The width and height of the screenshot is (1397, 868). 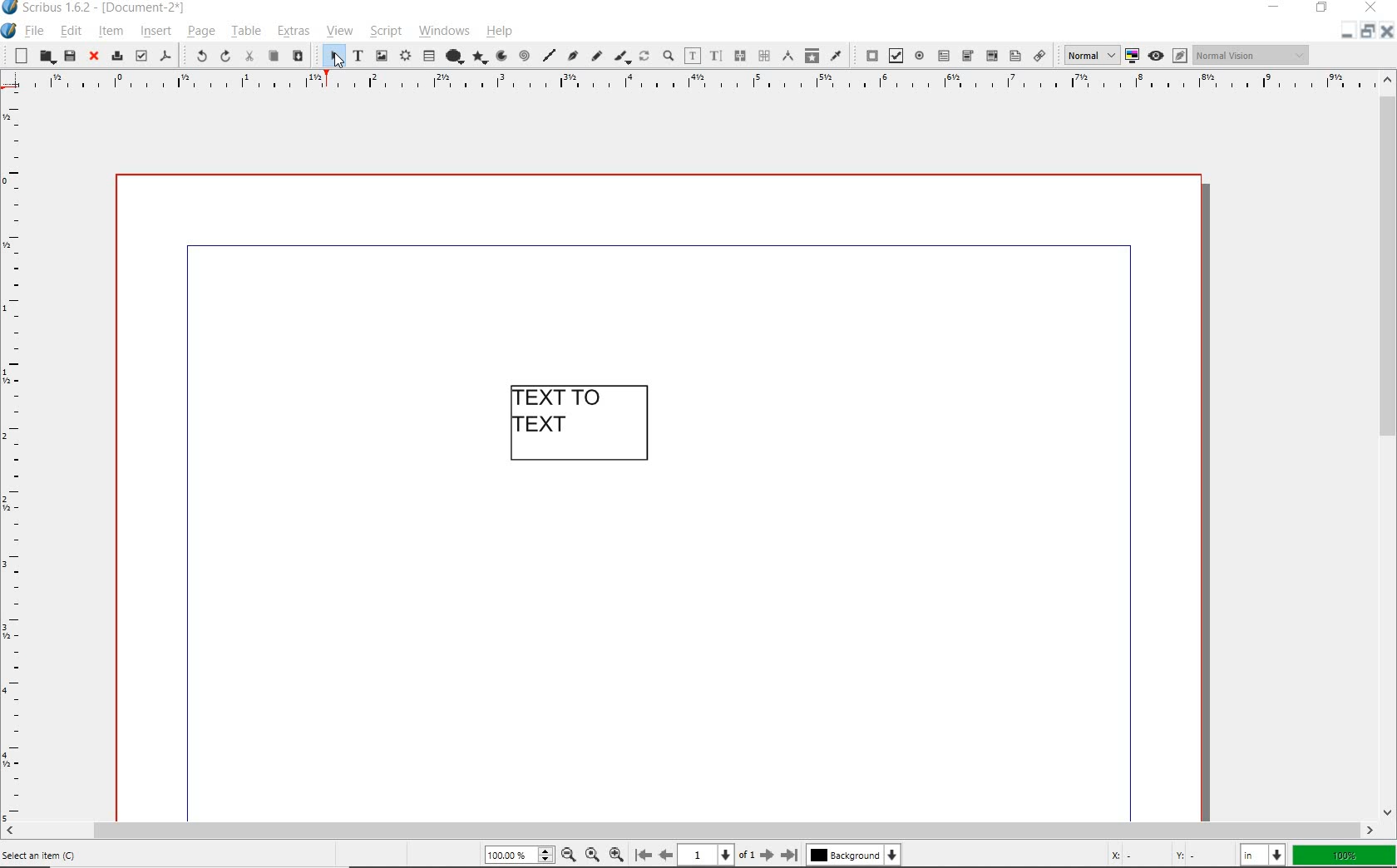 I want to click on edit text with story editor, so click(x=716, y=55).